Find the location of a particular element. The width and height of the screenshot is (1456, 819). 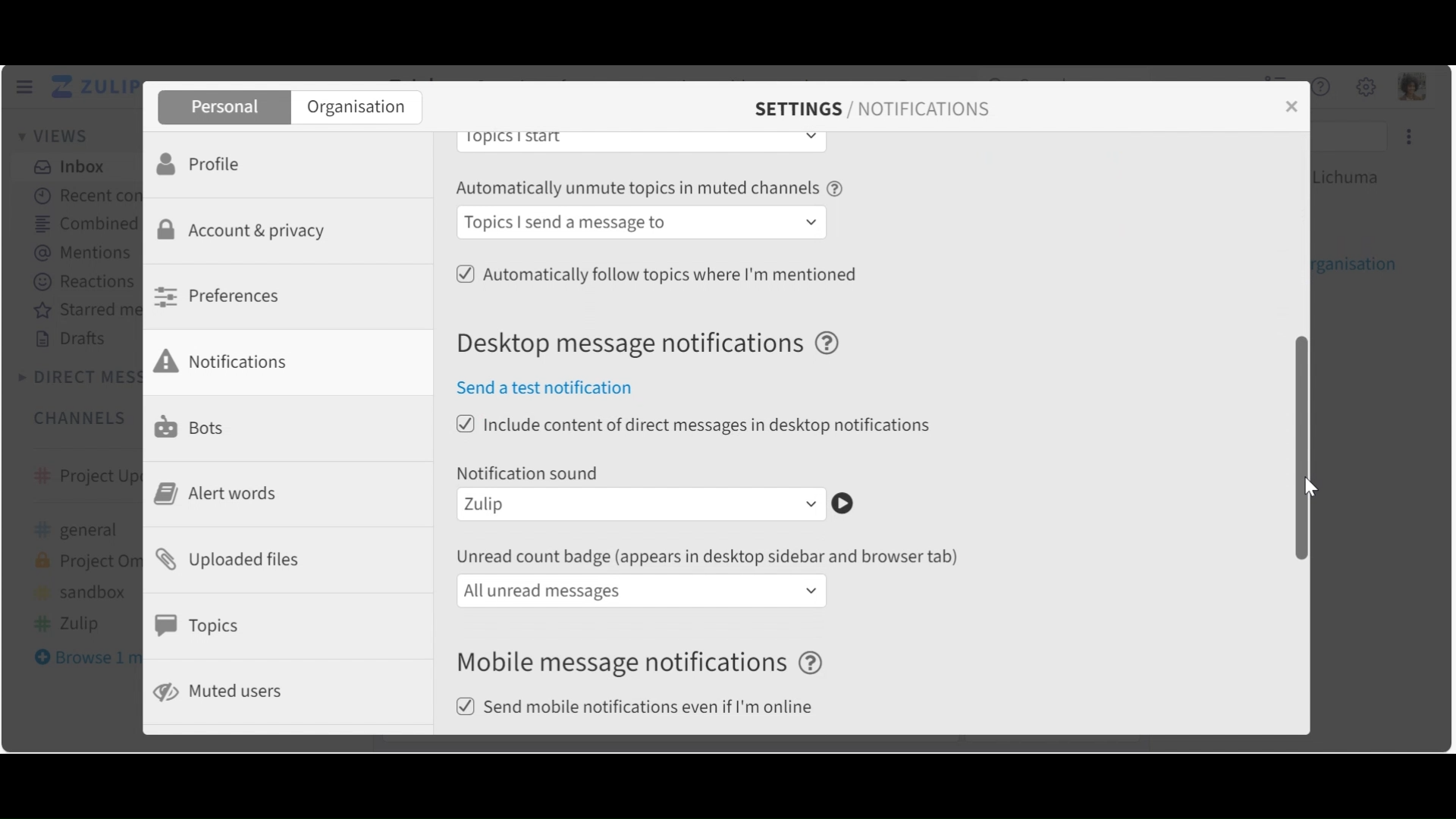

Preferences is located at coordinates (221, 296).